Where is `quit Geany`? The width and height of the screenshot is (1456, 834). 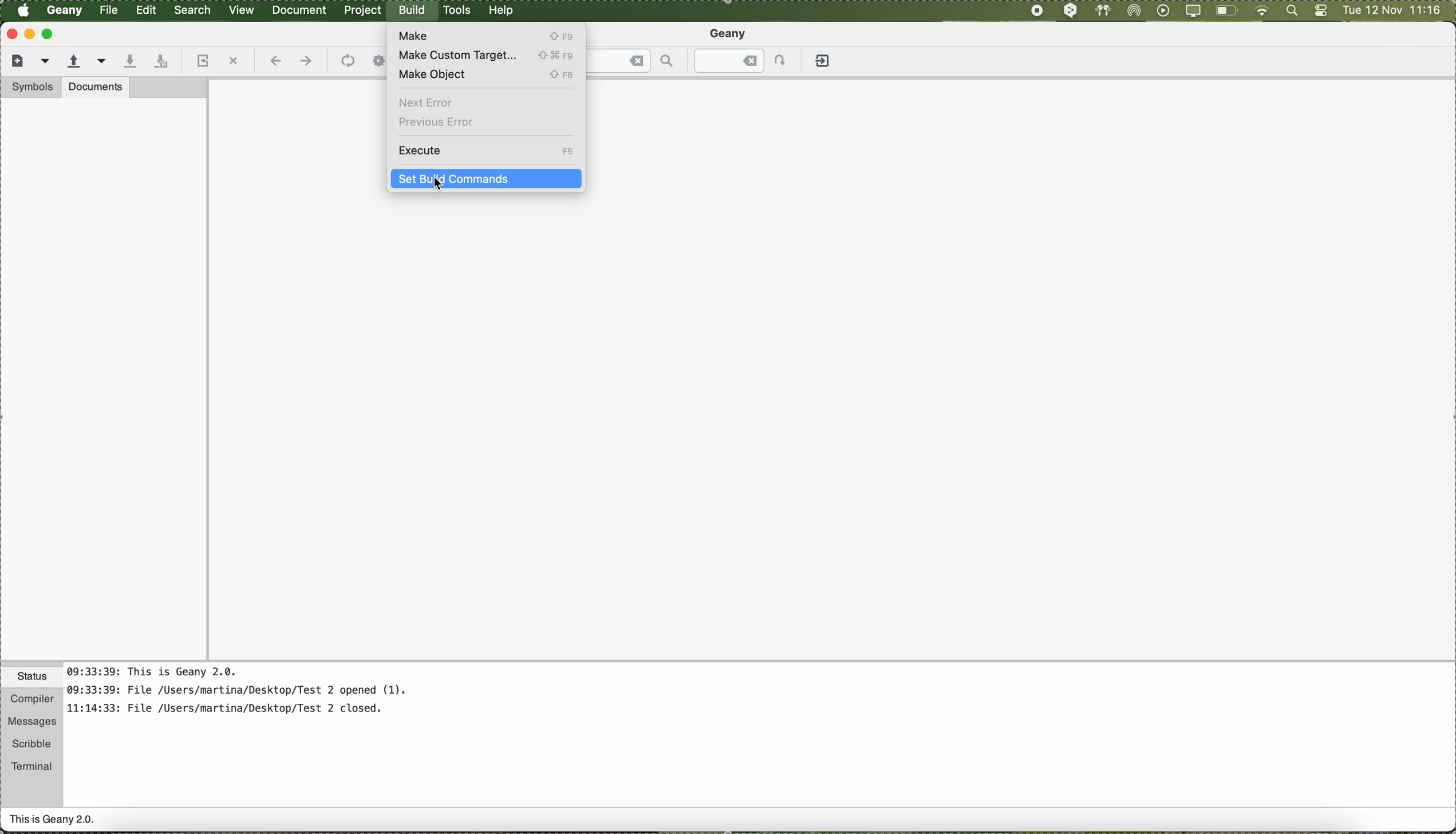 quit Geany is located at coordinates (824, 63).